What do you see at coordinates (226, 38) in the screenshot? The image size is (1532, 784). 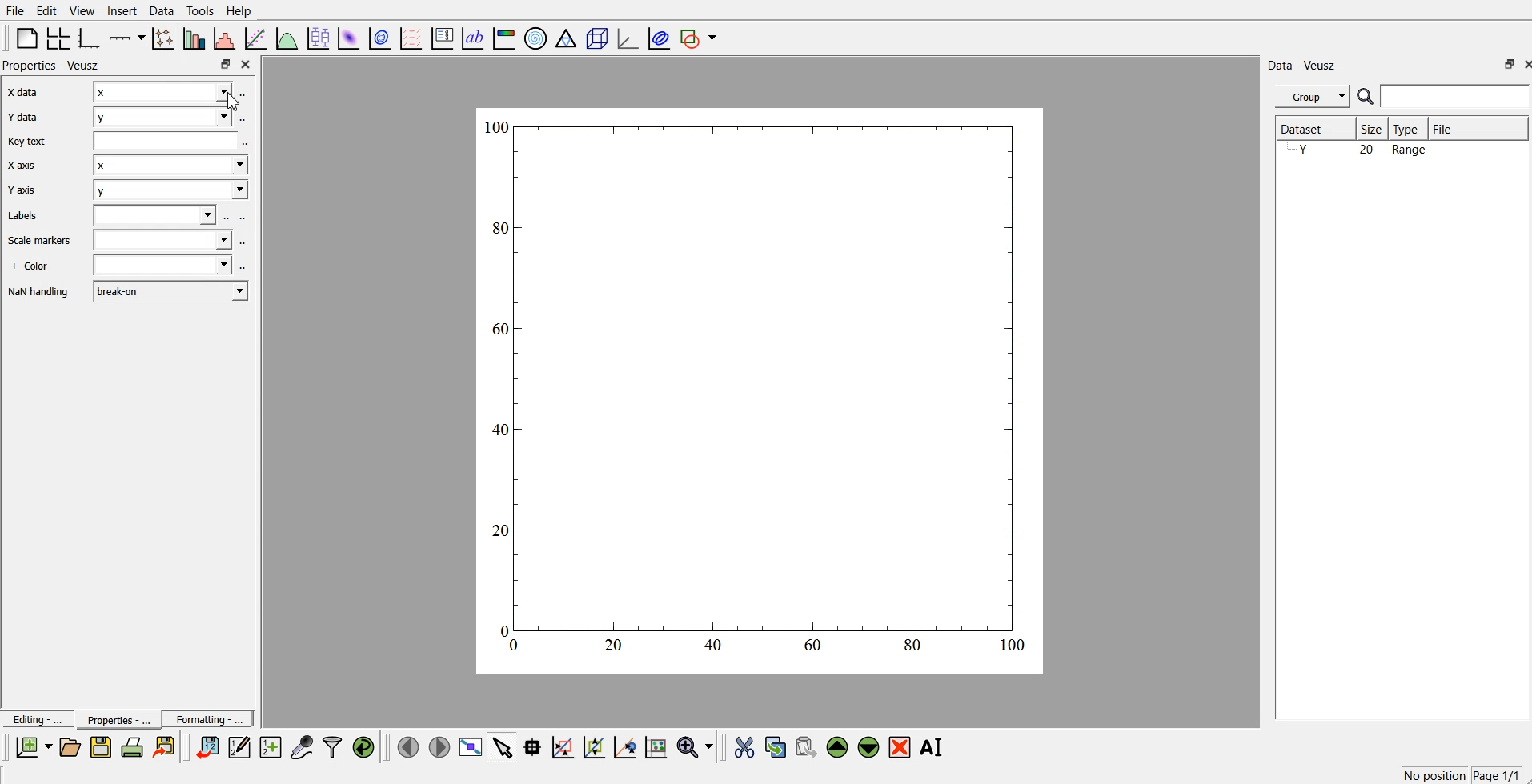 I see `histogram of dataset` at bounding box center [226, 38].